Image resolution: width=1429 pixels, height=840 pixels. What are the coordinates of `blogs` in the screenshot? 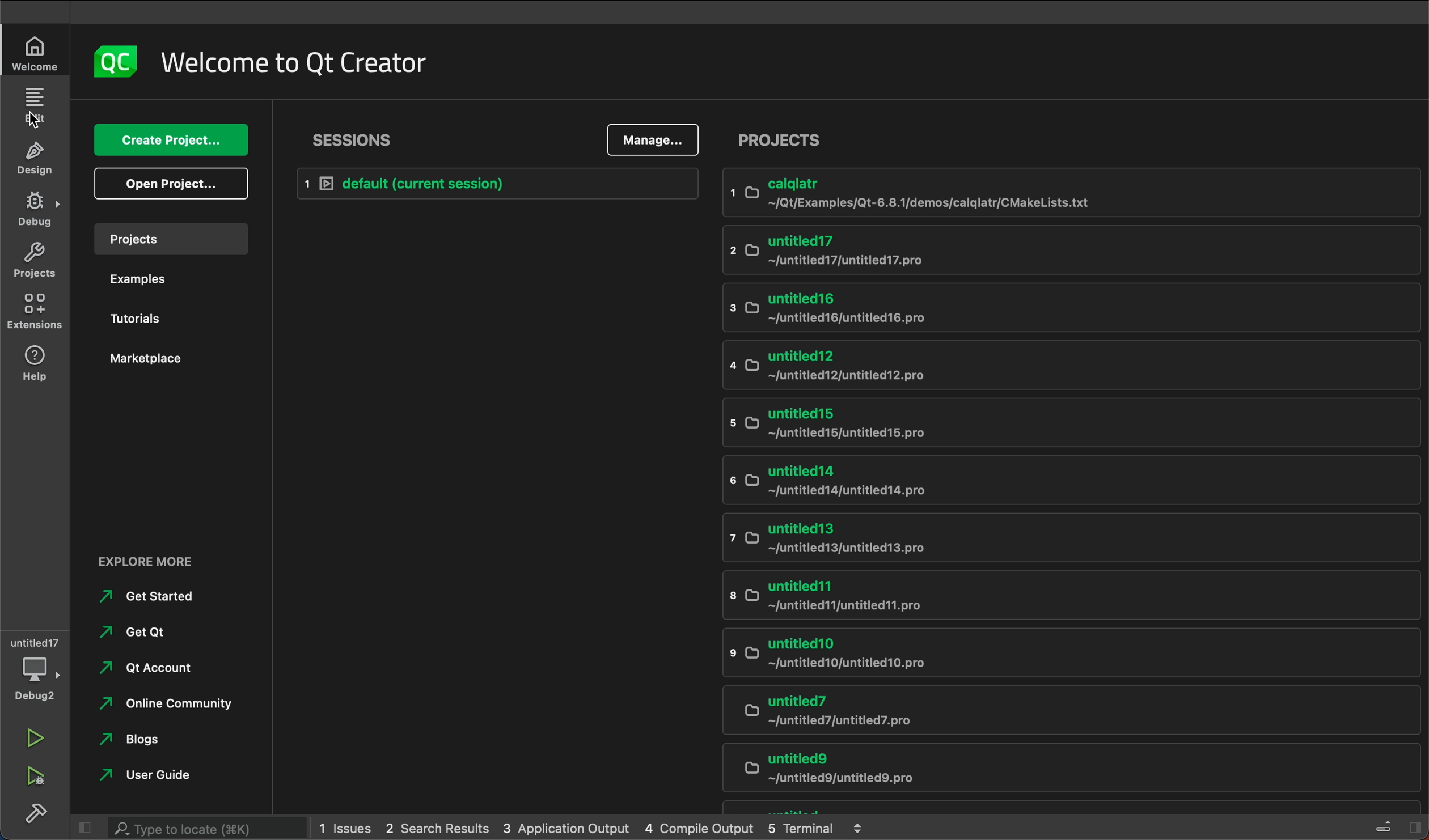 It's located at (133, 739).